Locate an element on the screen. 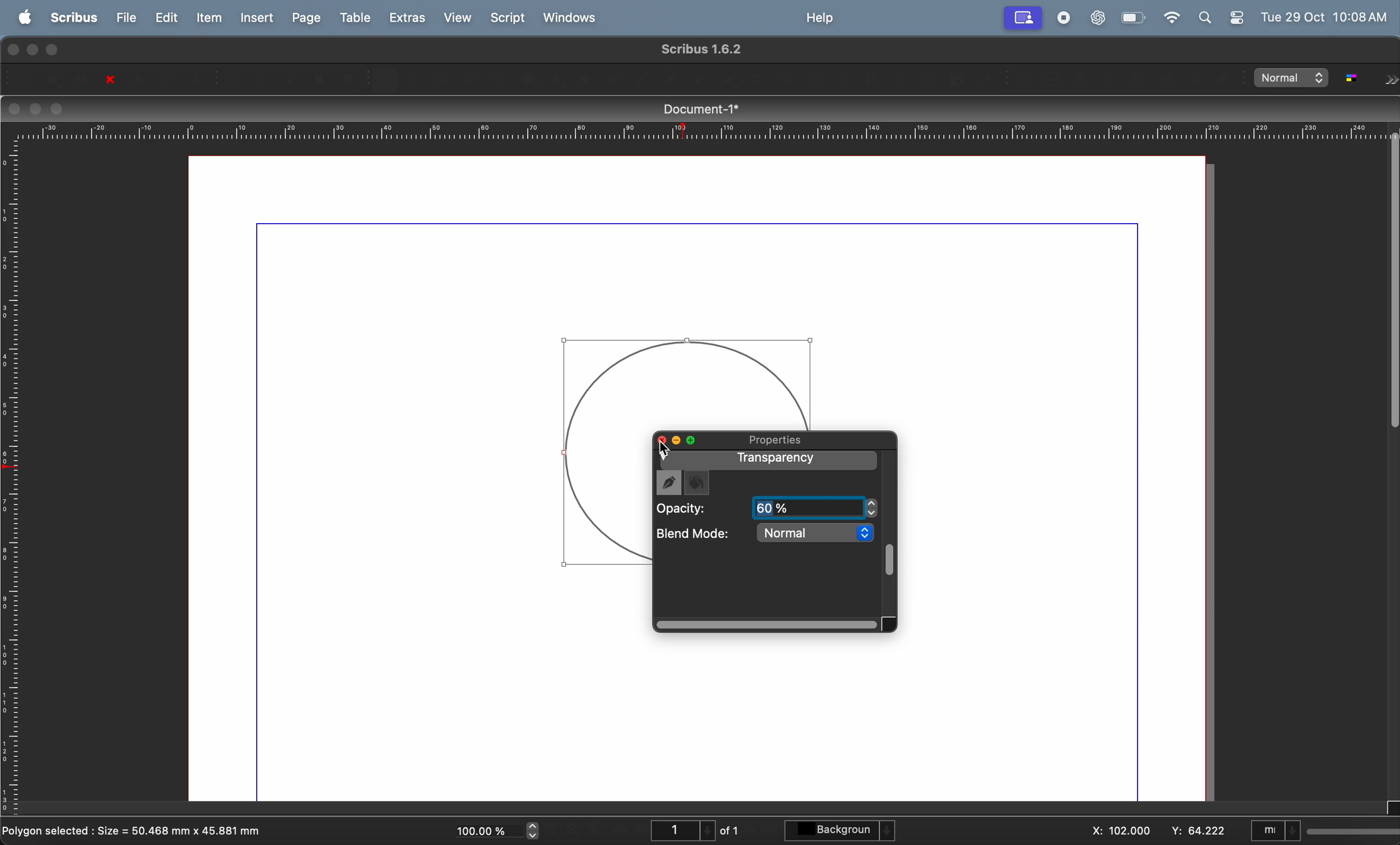  polygon selected is located at coordinates (136, 829).